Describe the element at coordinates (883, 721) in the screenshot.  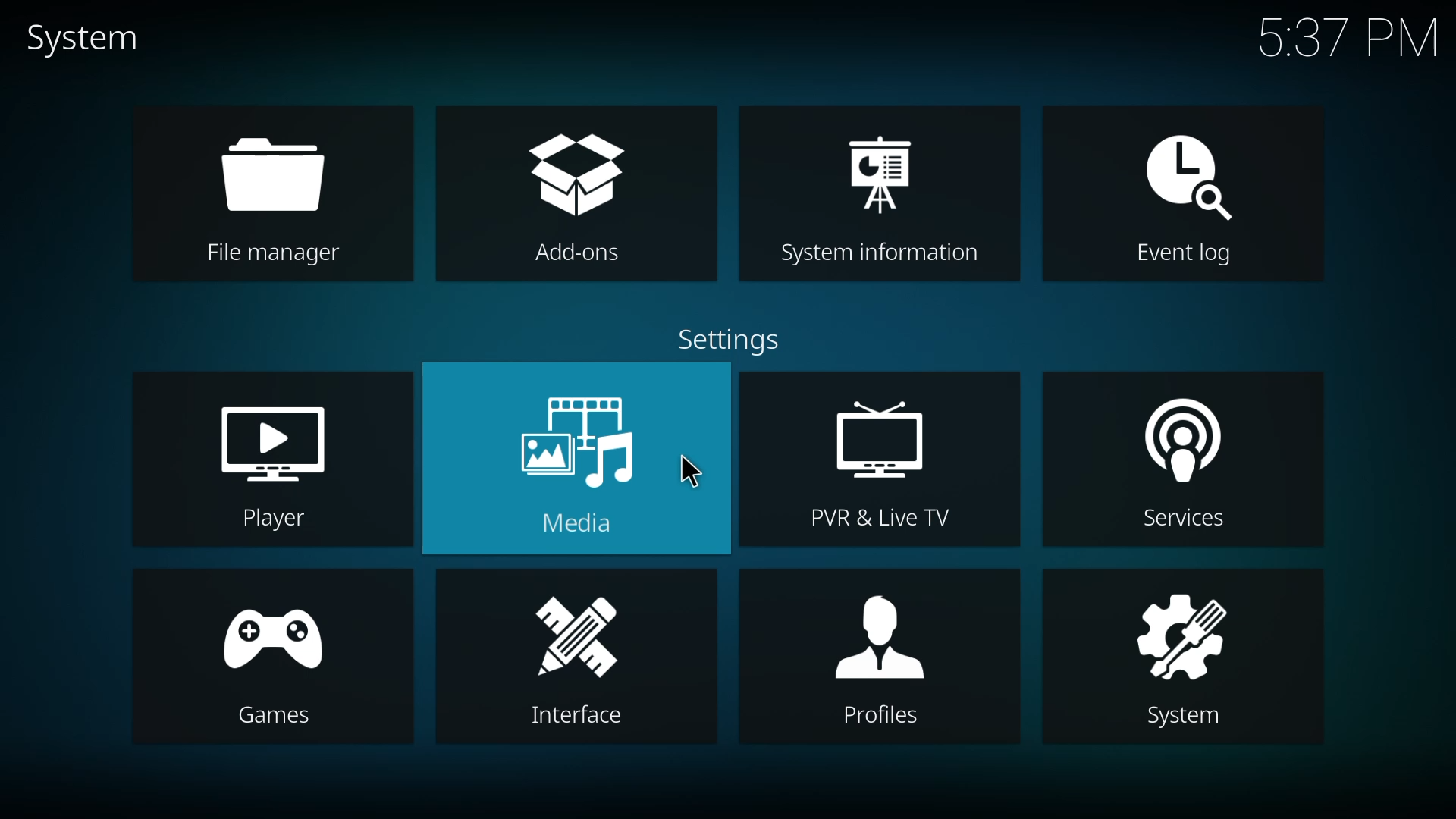
I see `Profiles` at that location.